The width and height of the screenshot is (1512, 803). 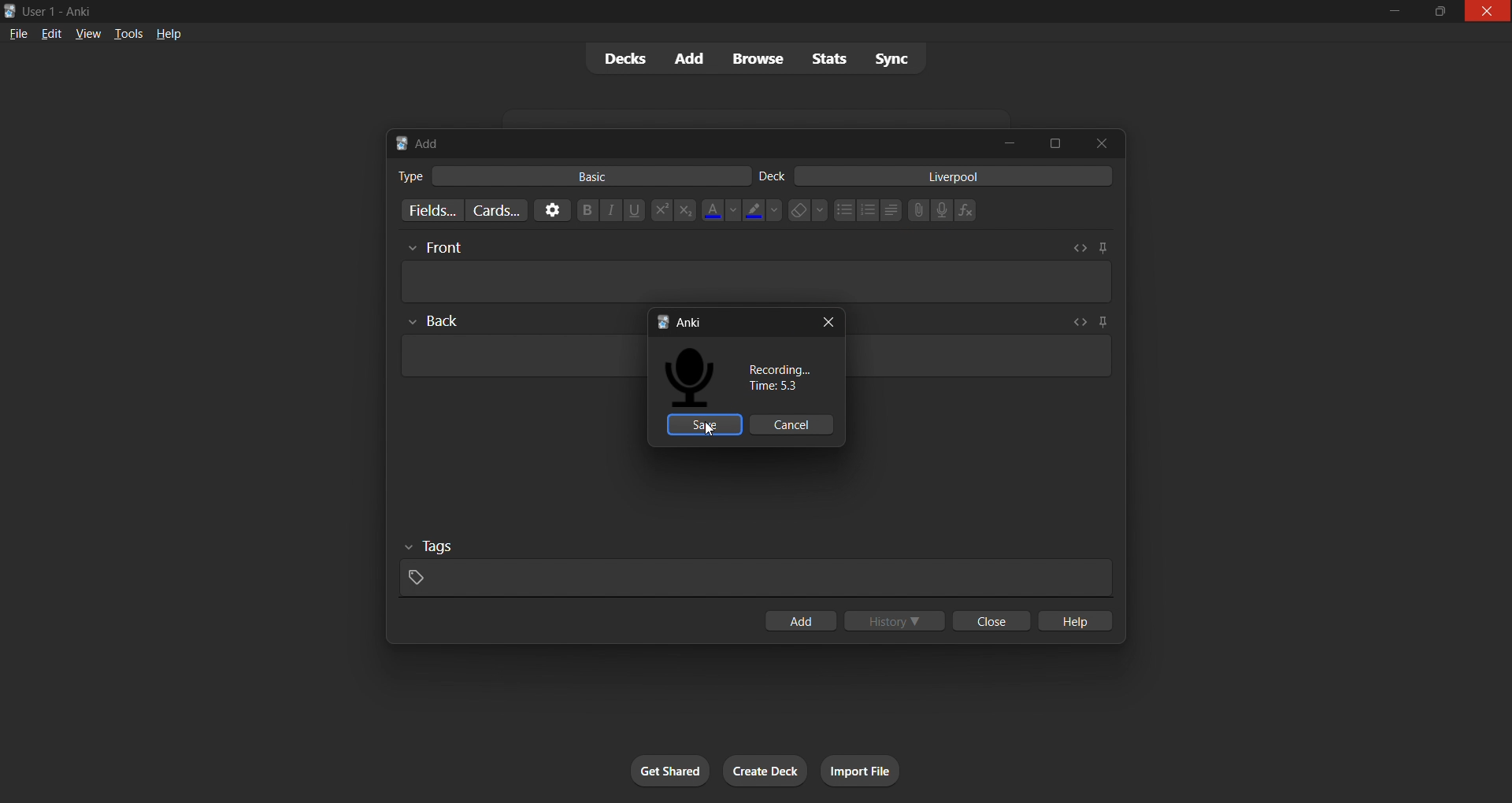 What do you see at coordinates (719, 210) in the screenshot?
I see `text color` at bounding box center [719, 210].